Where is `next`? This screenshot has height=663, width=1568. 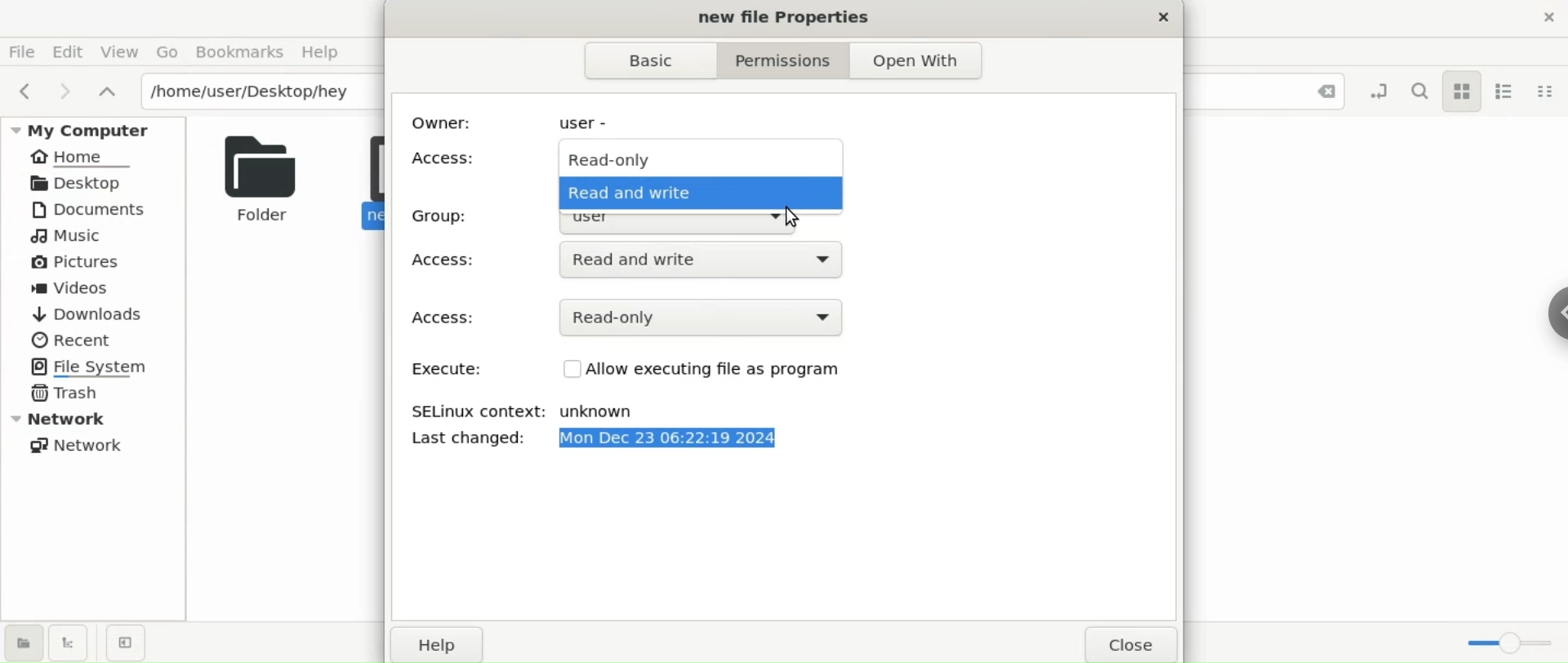
next is located at coordinates (62, 90).